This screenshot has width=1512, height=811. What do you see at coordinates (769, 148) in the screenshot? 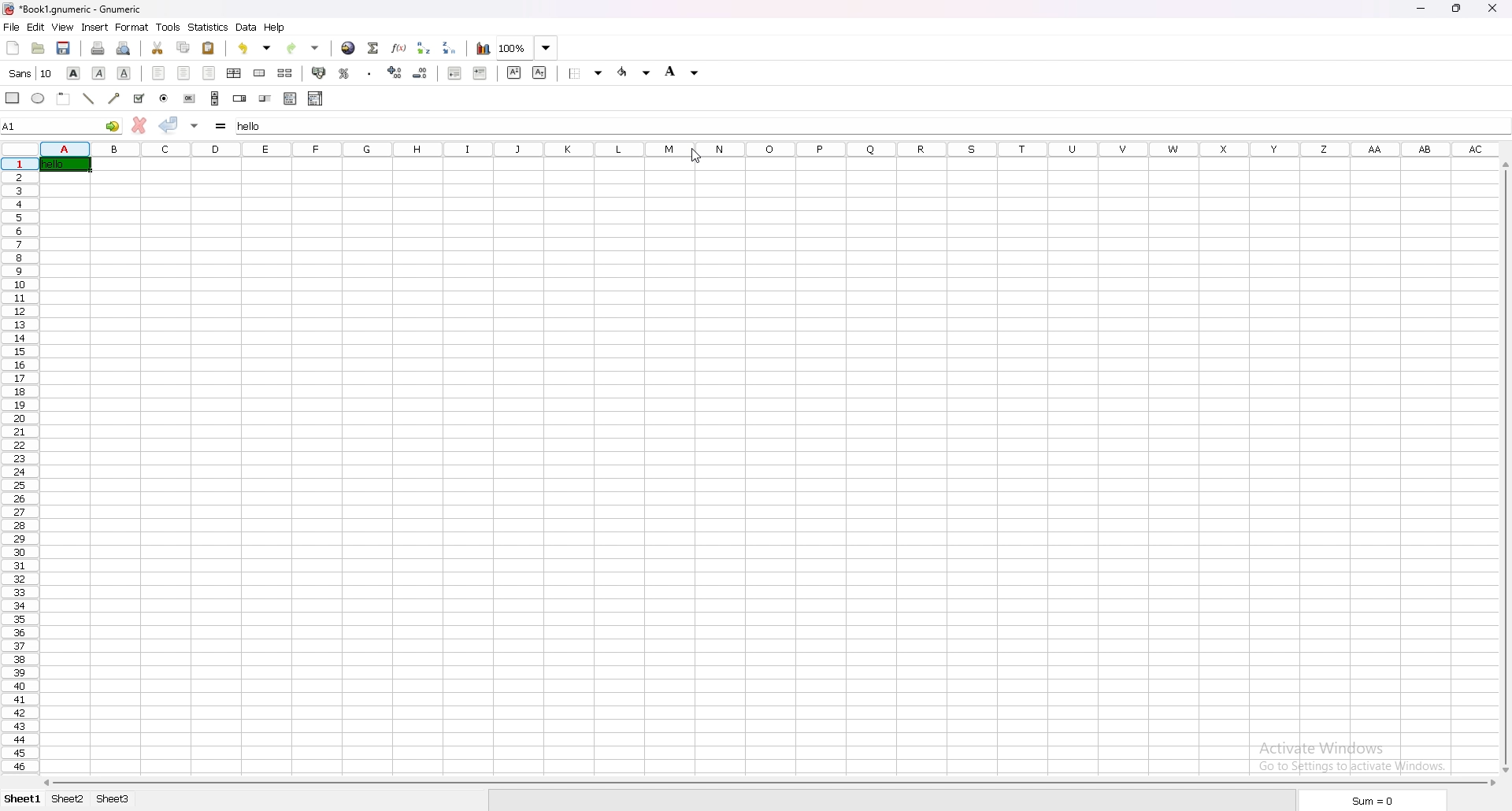
I see `columns` at bounding box center [769, 148].